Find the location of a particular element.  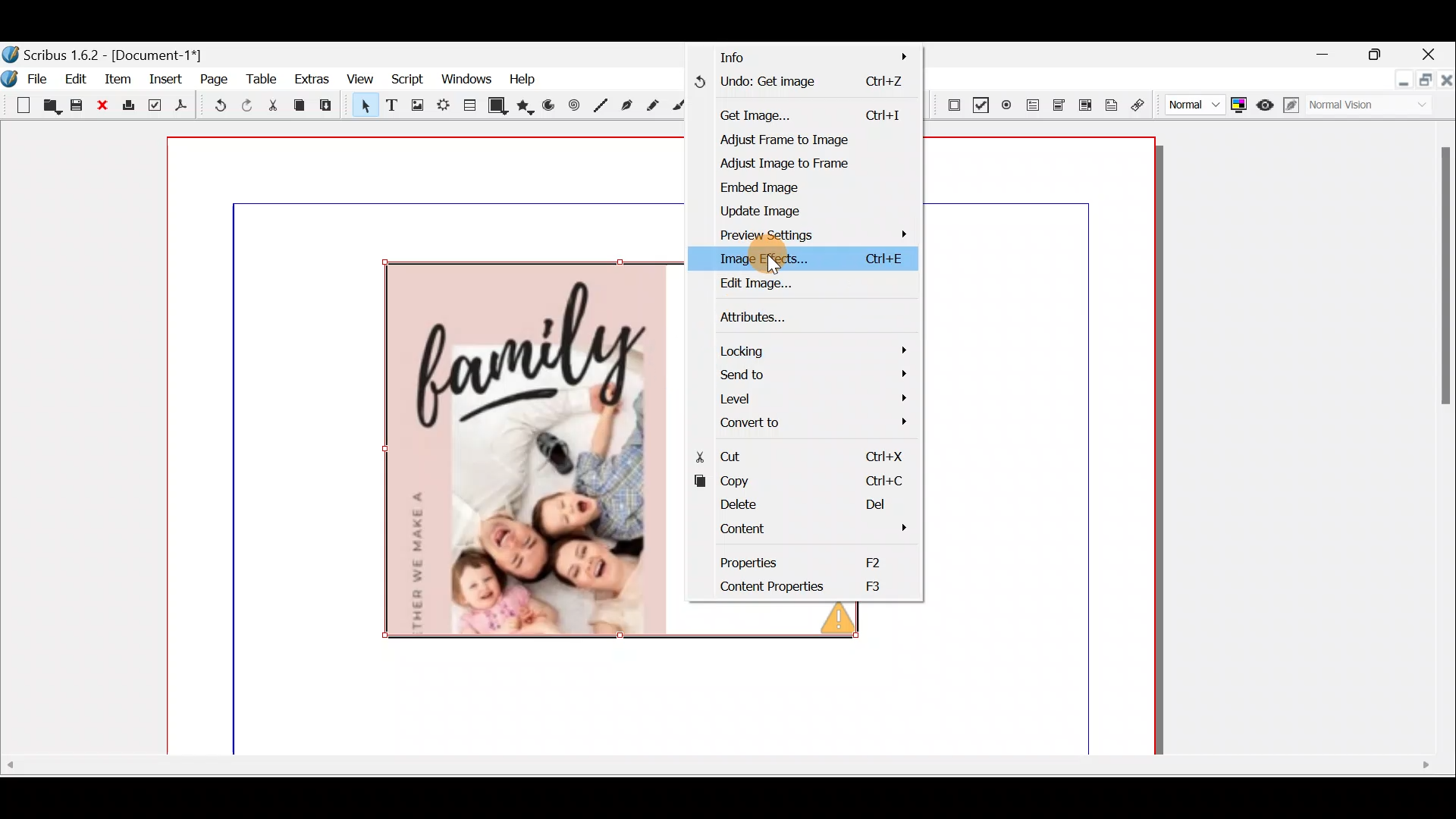

Close is located at coordinates (103, 106).